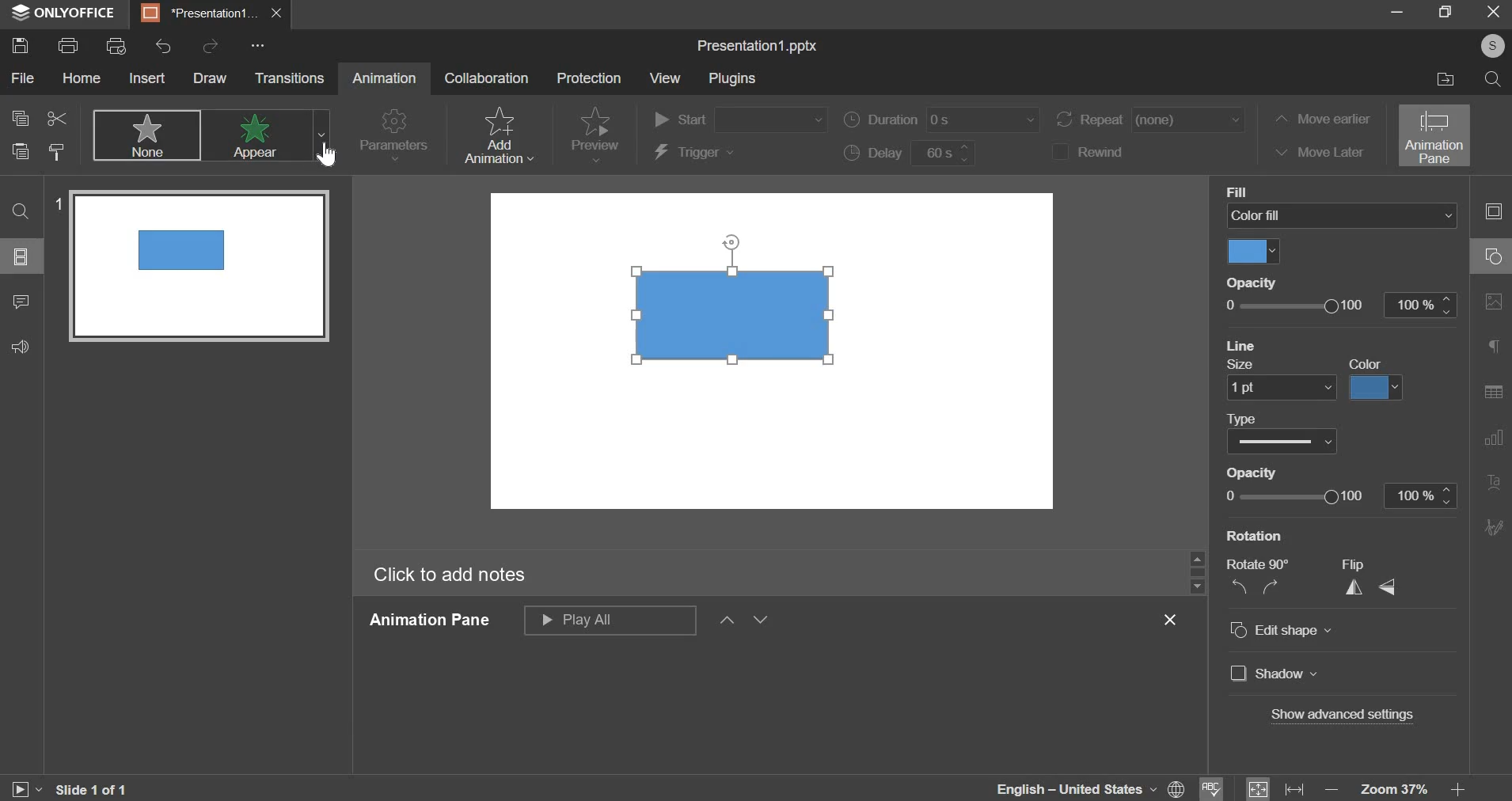 This screenshot has width=1512, height=801. Describe the element at coordinates (1323, 119) in the screenshot. I see `move earlier` at that location.